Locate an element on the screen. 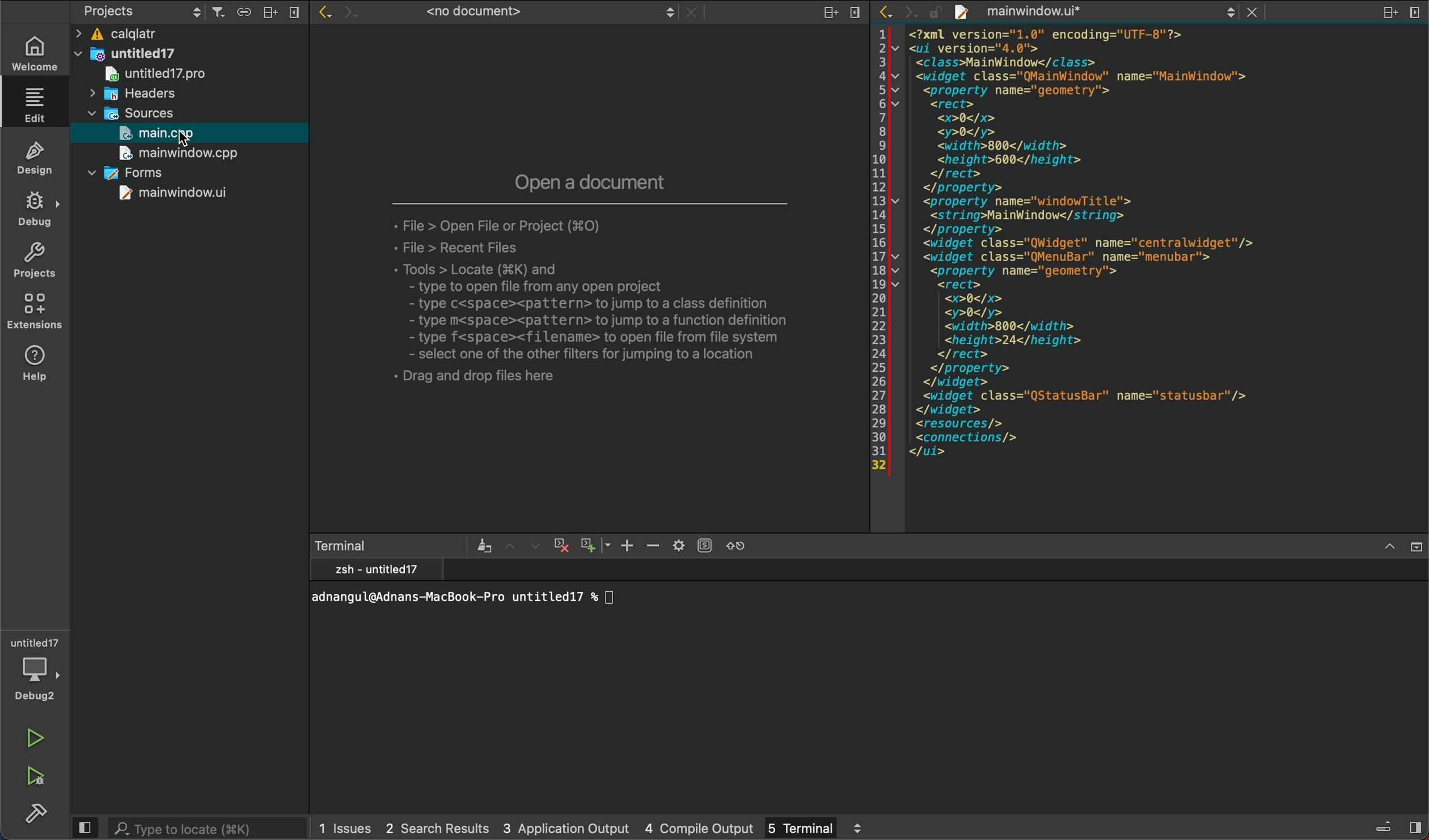  cross is located at coordinates (559, 546).